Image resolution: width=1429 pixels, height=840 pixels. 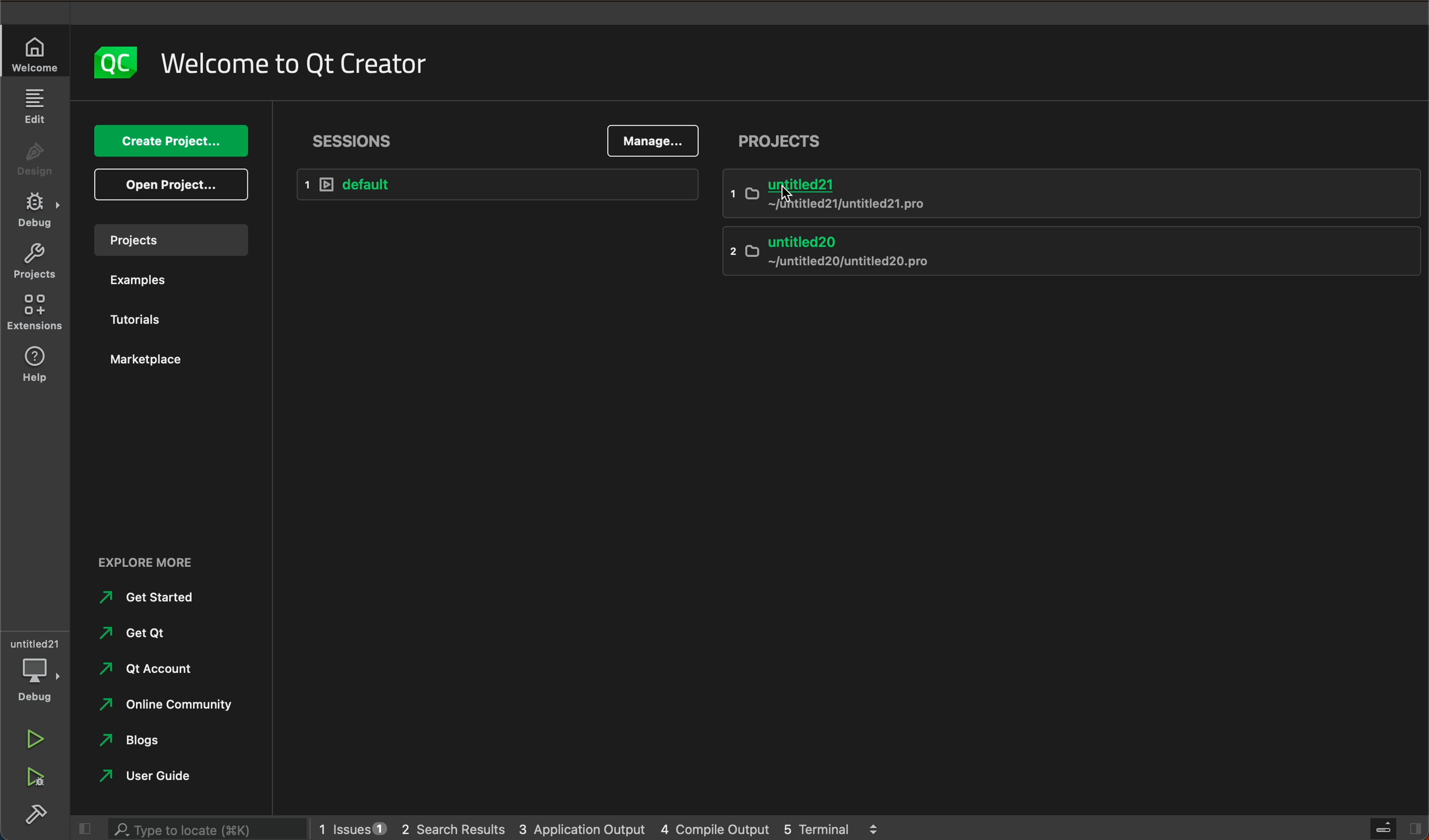 I want to click on get qt, so click(x=124, y=635).